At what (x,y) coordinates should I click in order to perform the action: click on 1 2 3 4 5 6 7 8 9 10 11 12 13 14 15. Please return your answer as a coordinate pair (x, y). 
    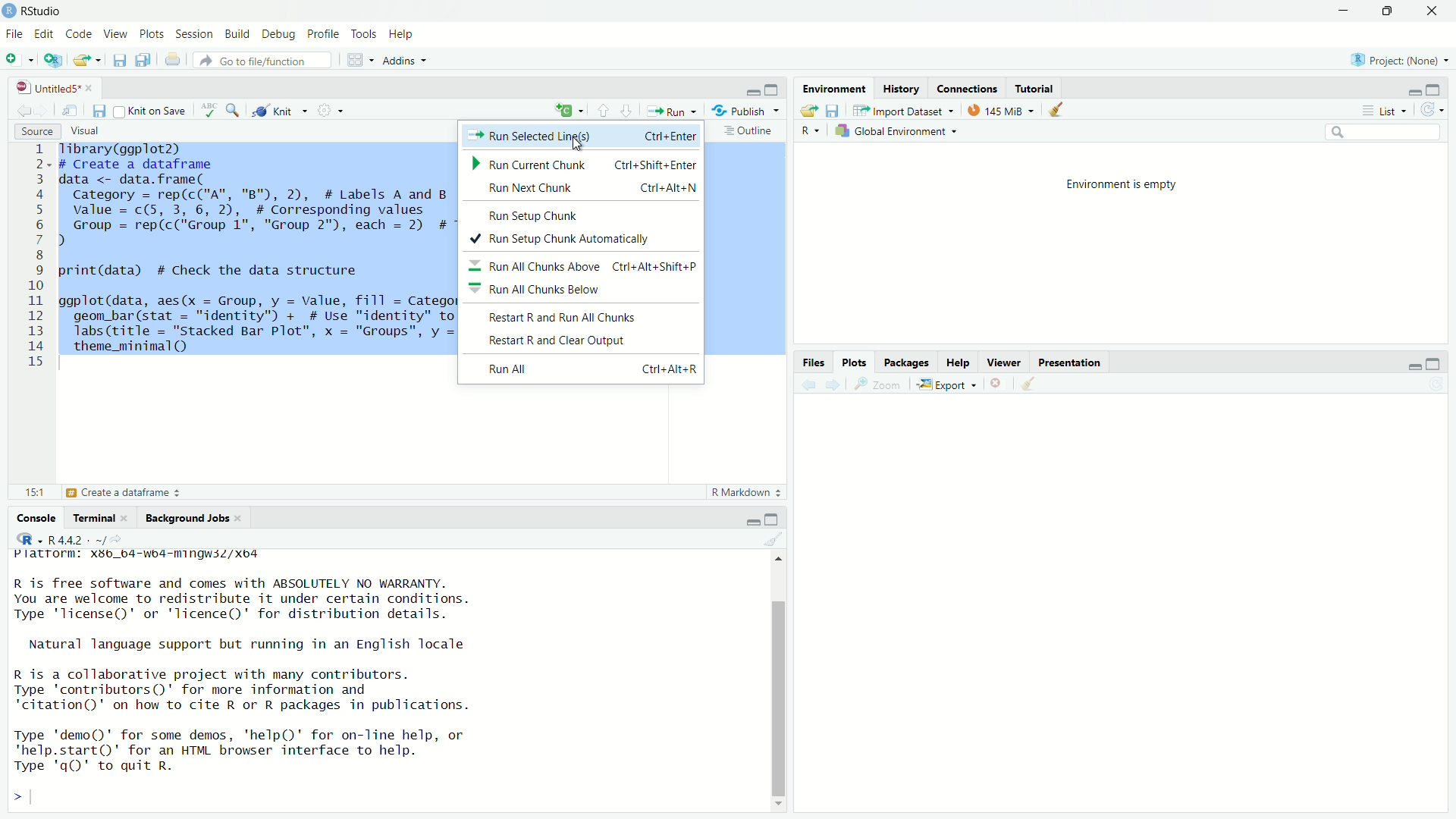
    Looking at the image, I should click on (37, 257).